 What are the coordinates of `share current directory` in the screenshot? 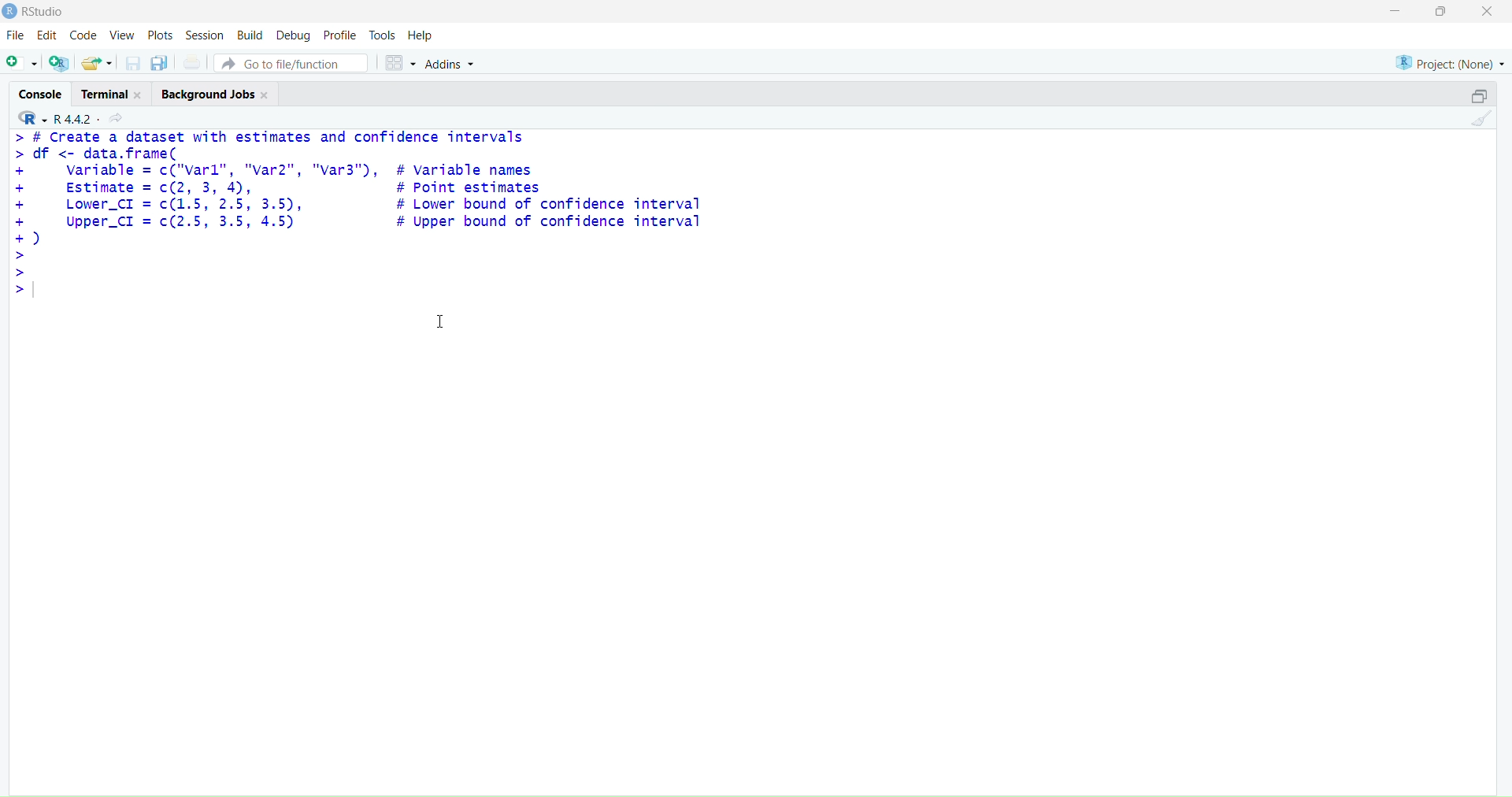 It's located at (115, 118).